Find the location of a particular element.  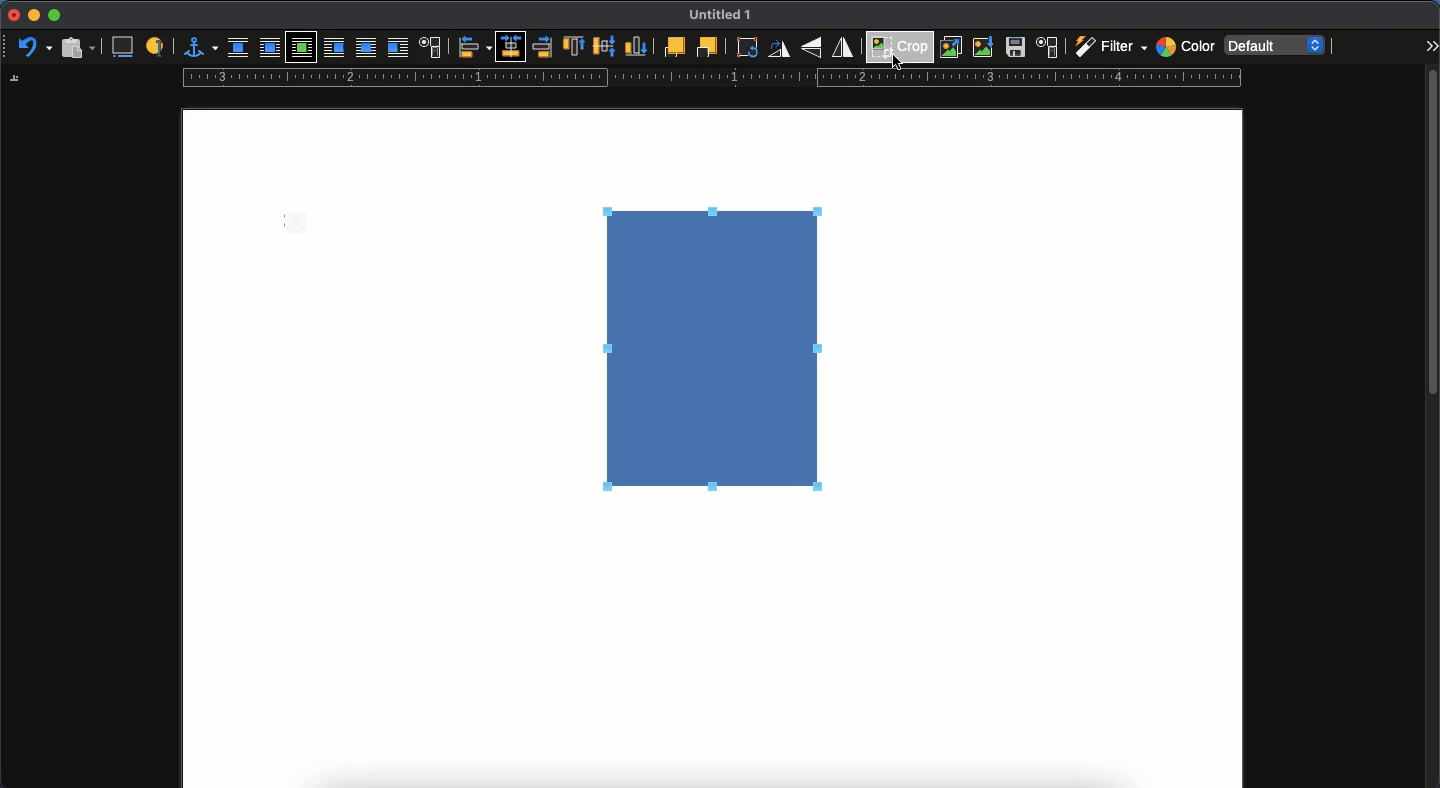

cursor is located at coordinates (901, 63).